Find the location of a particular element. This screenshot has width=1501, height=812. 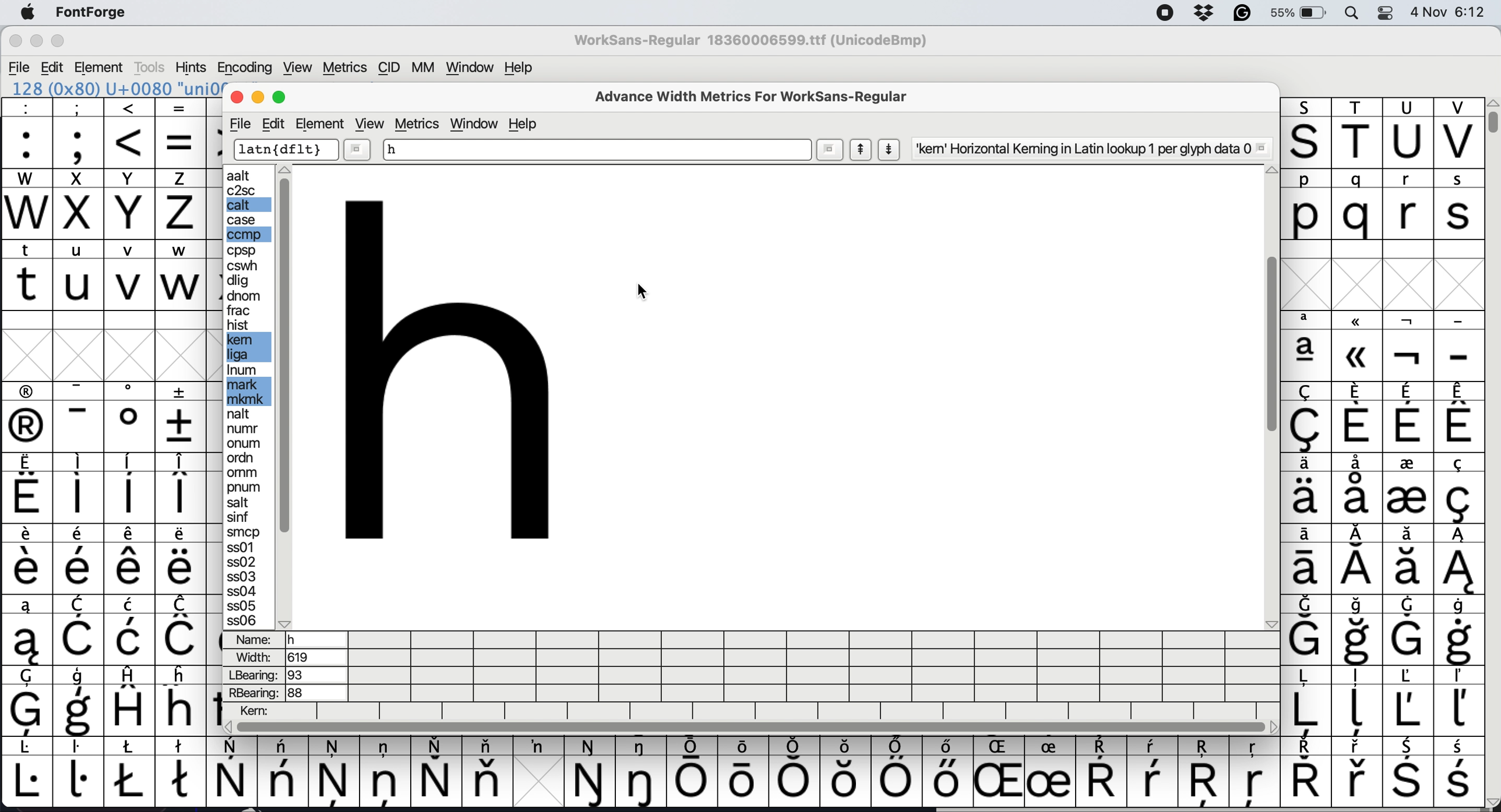

special characters is located at coordinates (1383, 677).